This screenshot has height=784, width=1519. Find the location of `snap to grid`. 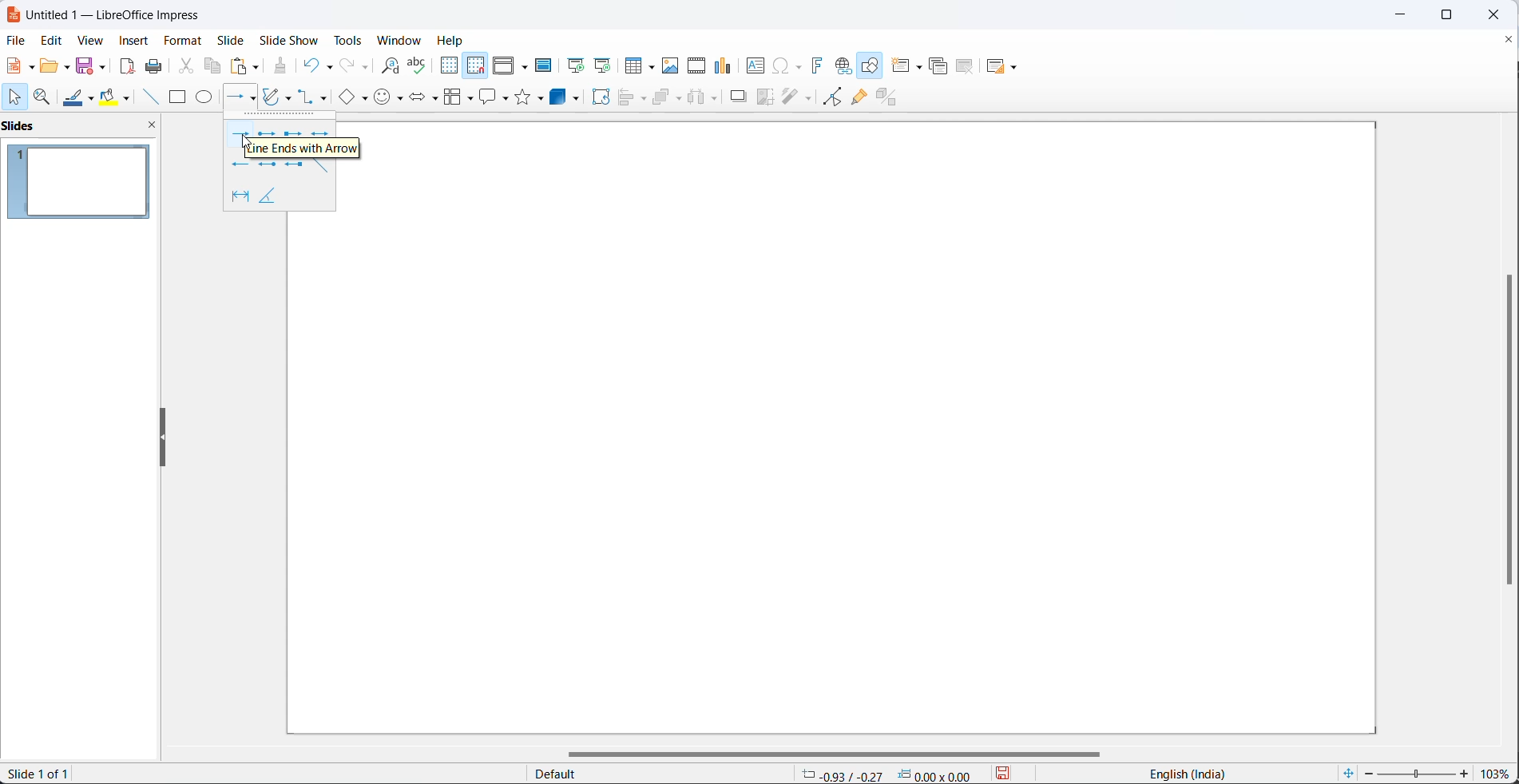

snap to grid is located at coordinates (474, 65).